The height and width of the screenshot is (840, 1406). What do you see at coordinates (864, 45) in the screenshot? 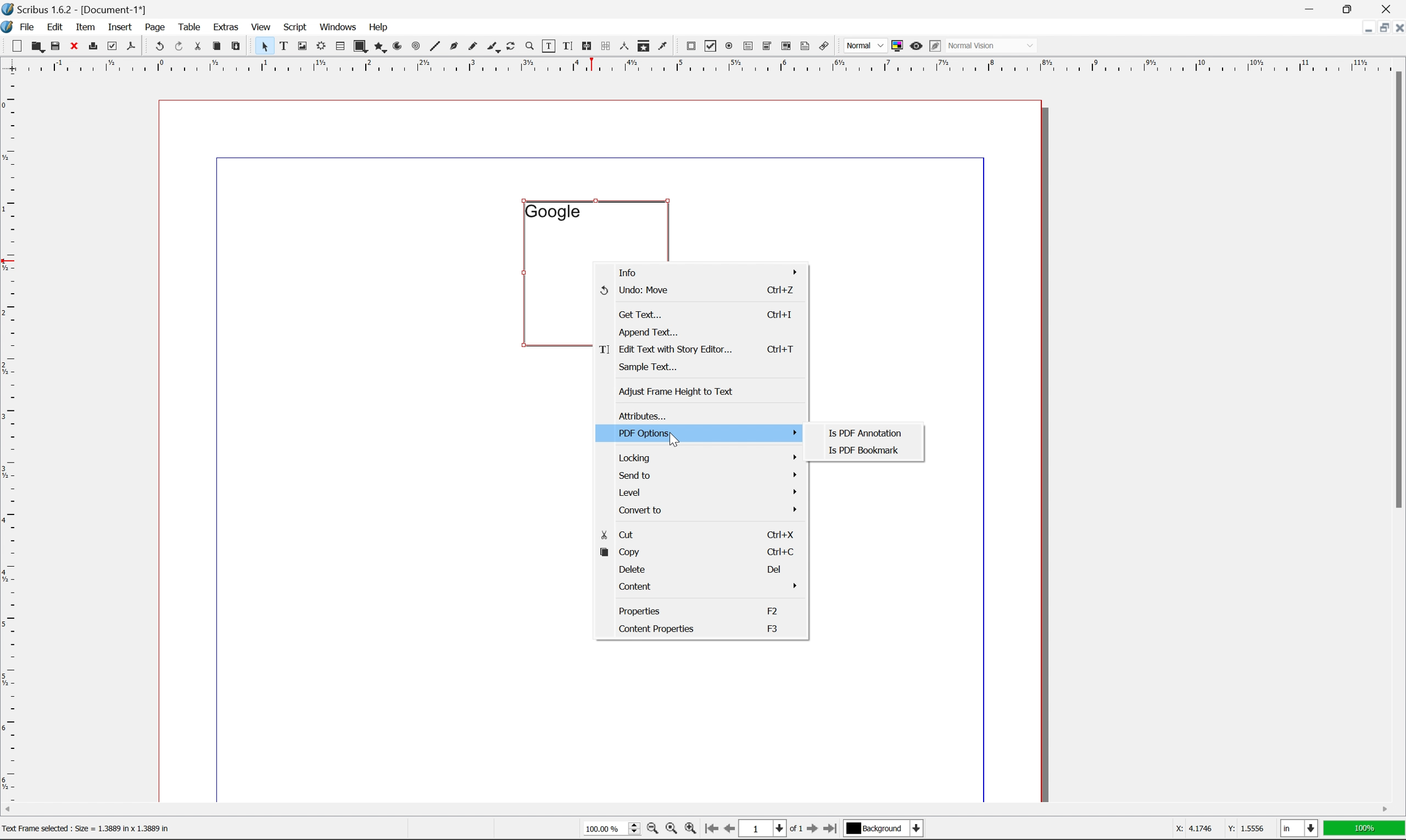
I see `normal` at bounding box center [864, 45].